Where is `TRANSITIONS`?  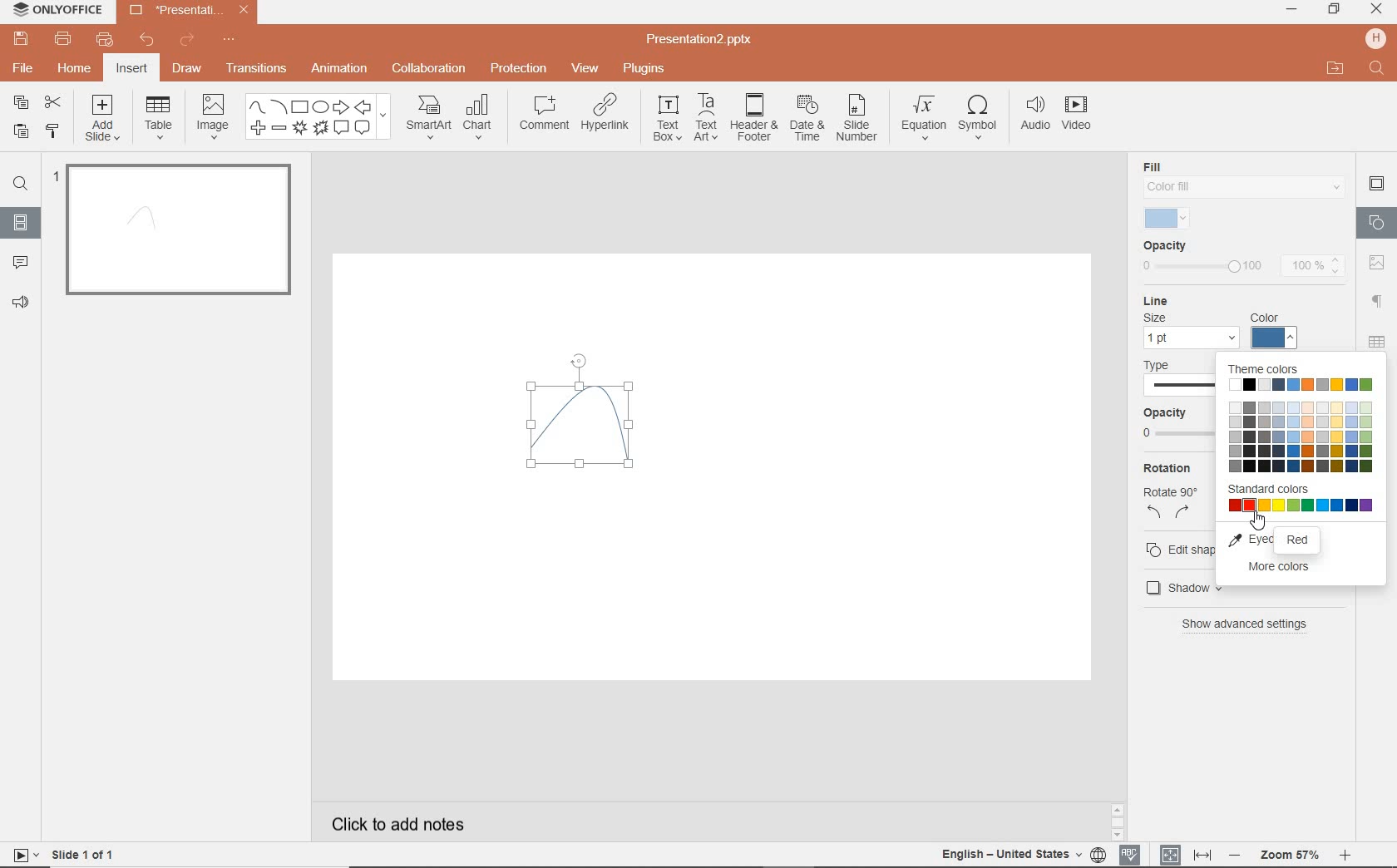
TRANSITIONS is located at coordinates (259, 70).